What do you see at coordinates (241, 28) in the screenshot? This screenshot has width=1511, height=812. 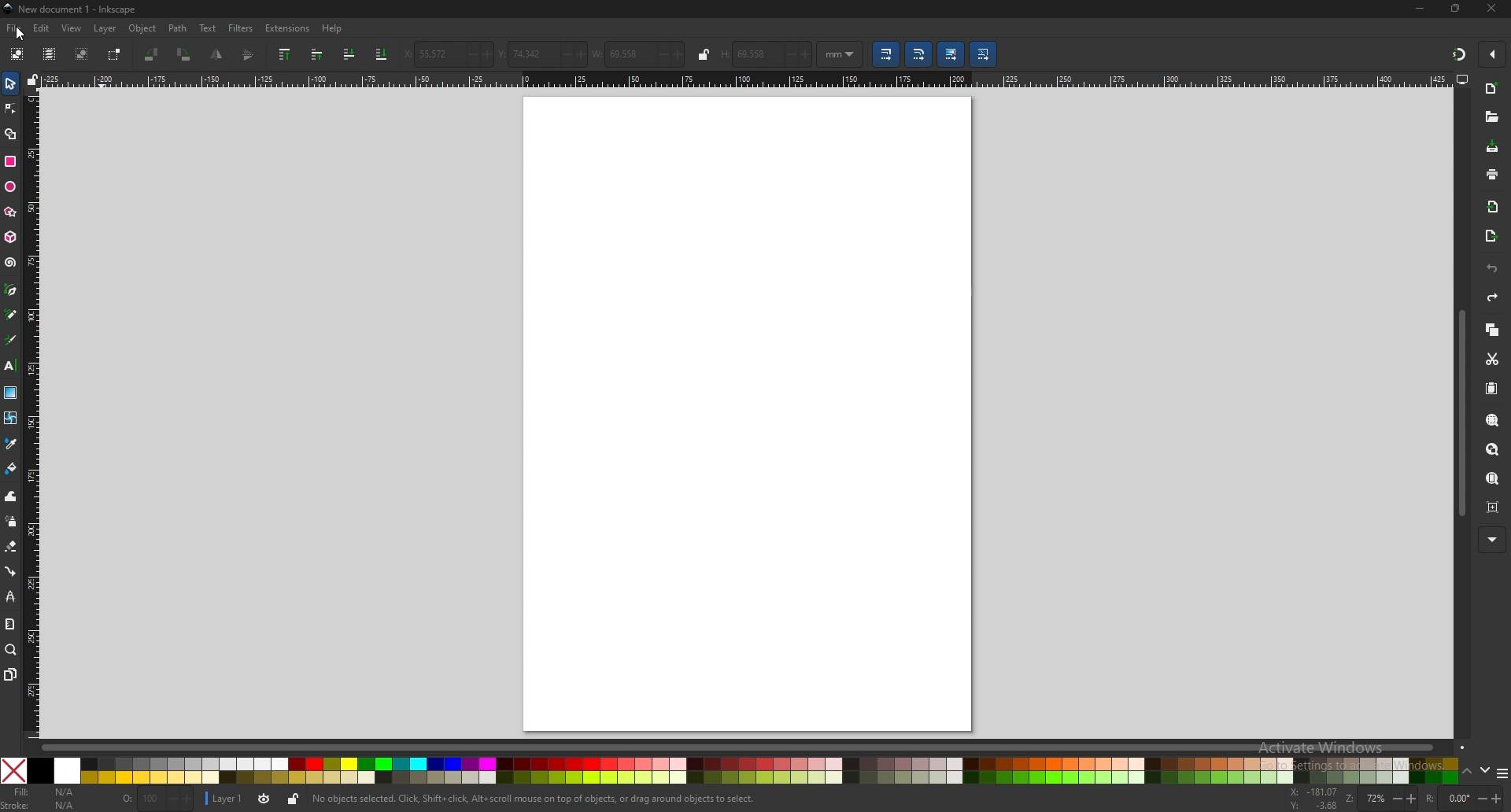 I see `filters` at bounding box center [241, 28].